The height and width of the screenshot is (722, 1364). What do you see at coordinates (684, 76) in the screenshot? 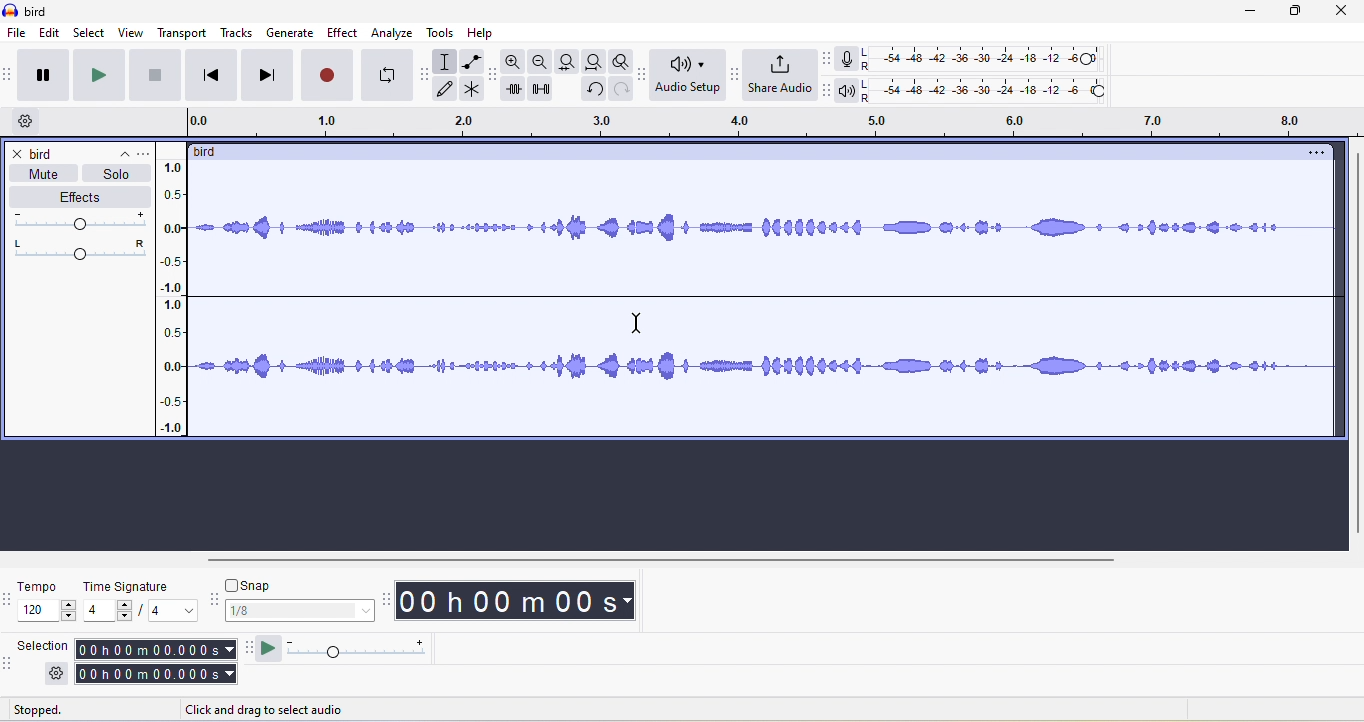
I see `audio setup` at bounding box center [684, 76].